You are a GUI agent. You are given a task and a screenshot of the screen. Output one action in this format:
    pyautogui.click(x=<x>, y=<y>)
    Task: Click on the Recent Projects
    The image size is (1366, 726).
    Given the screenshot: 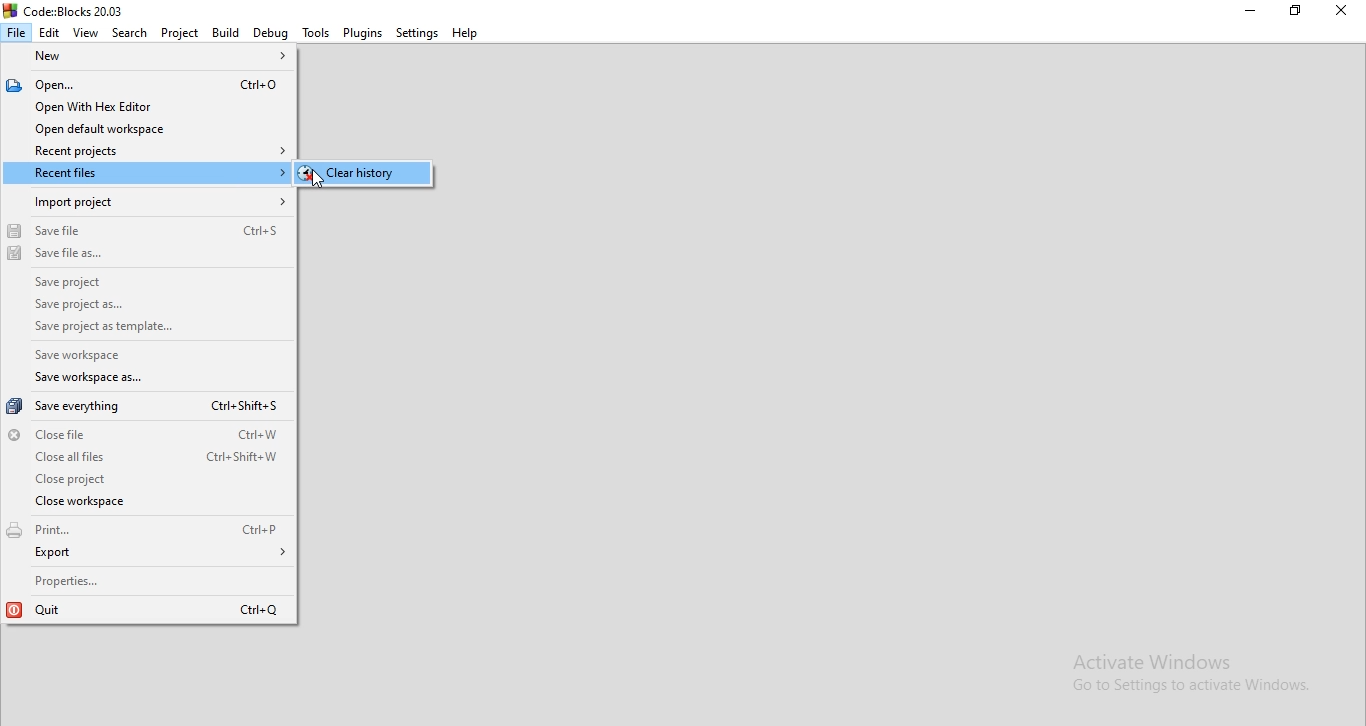 What is the action you would take?
    pyautogui.click(x=145, y=150)
    